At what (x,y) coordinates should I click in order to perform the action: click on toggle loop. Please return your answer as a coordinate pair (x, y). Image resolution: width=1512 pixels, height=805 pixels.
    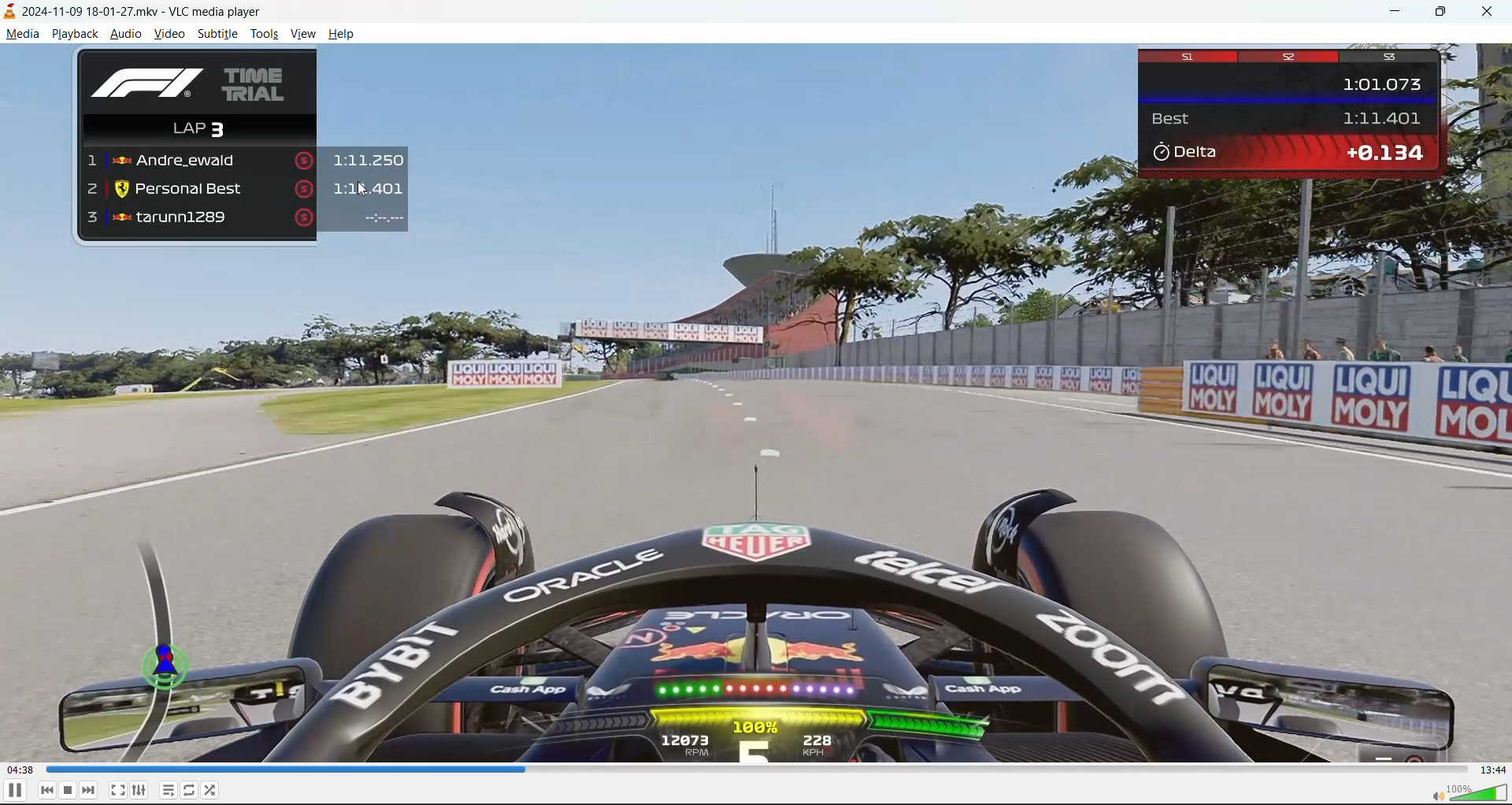
    Looking at the image, I should click on (189, 788).